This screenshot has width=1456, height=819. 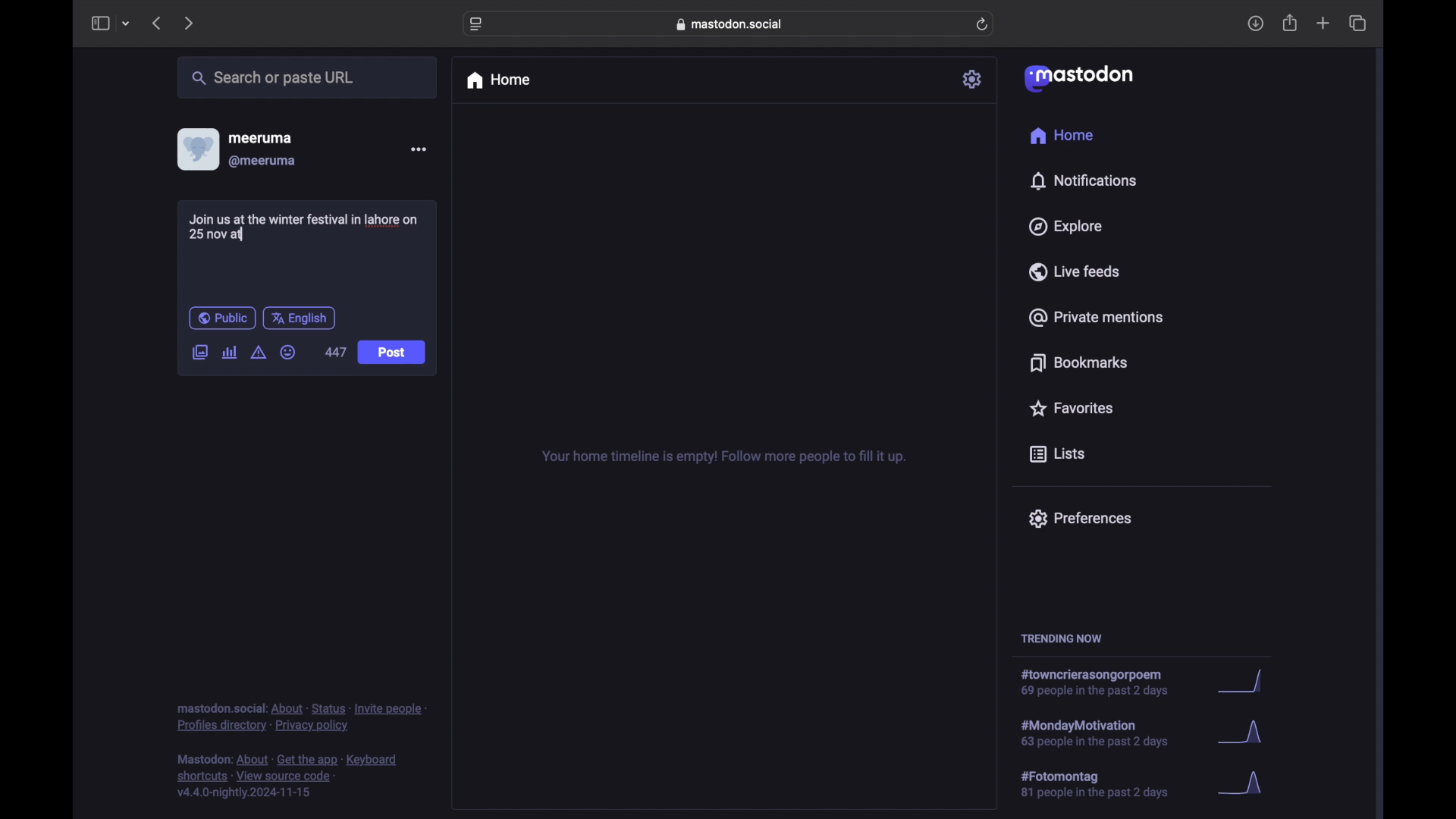 I want to click on hashtag trend, so click(x=1103, y=683).